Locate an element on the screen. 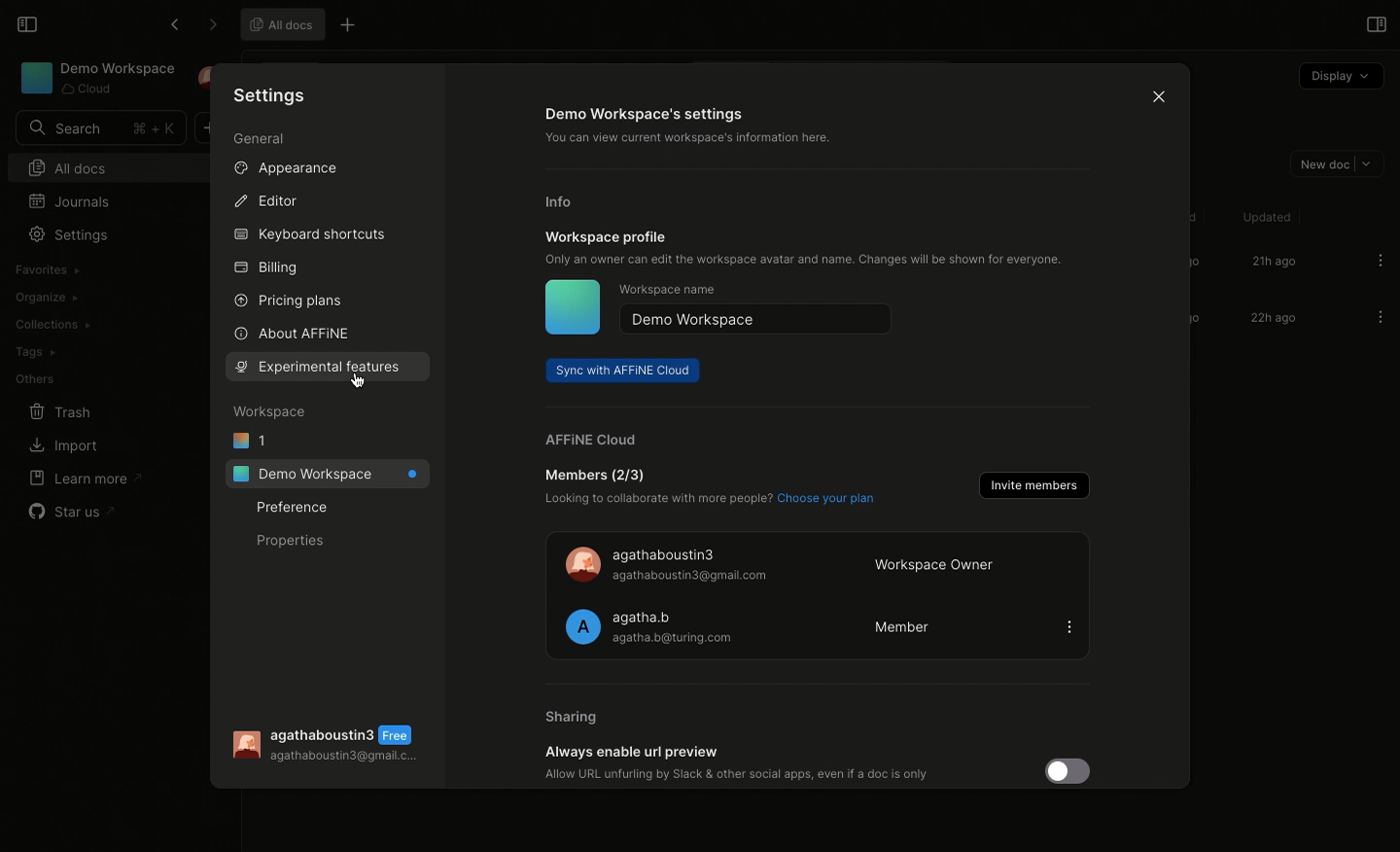 The height and width of the screenshot is (852, 1400). Cursor on Experimental features is located at coordinates (358, 381).